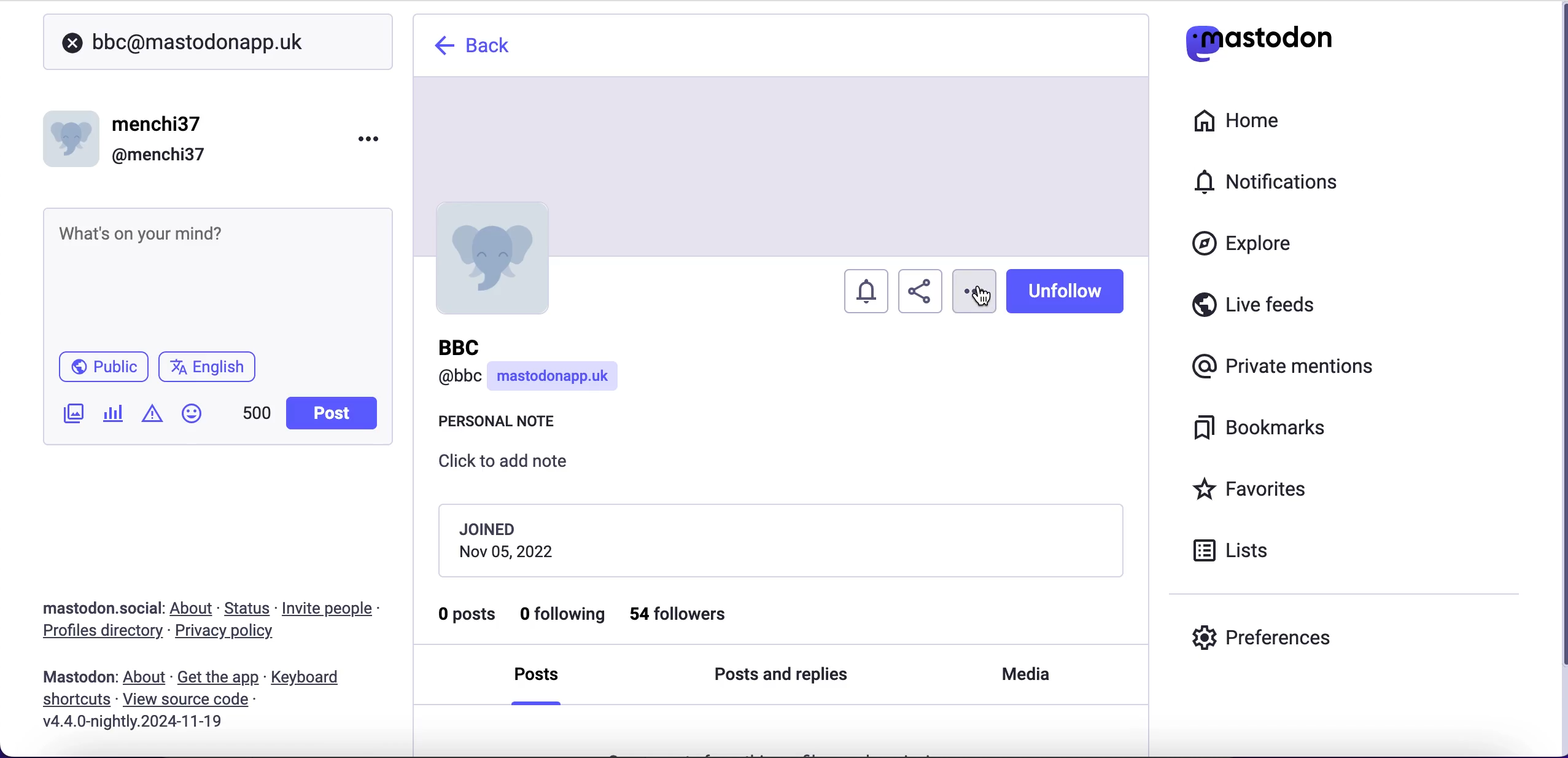  I want to click on joining date, so click(780, 545).